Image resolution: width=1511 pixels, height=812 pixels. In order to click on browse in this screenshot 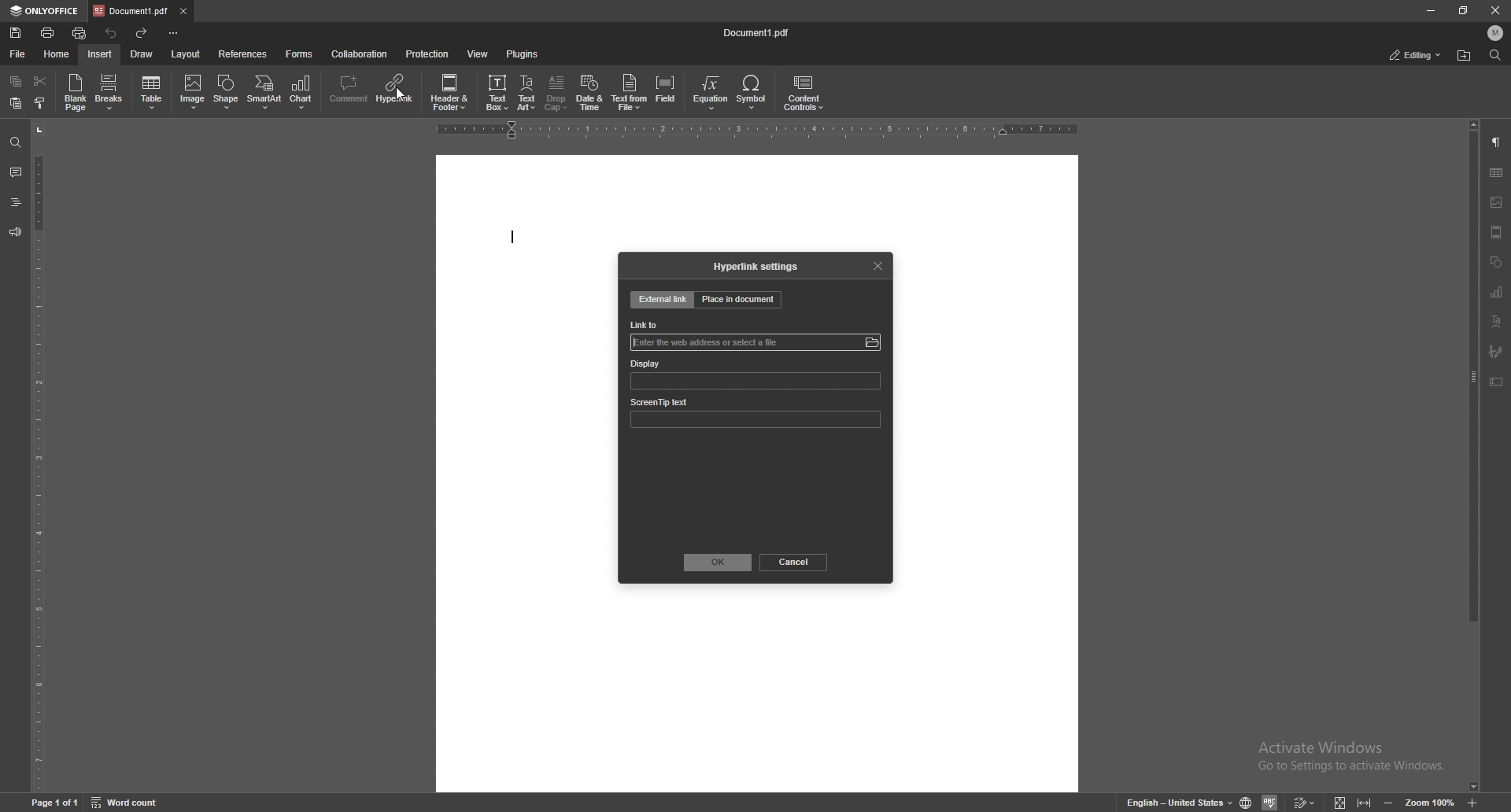, I will do `click(871, 342)`.